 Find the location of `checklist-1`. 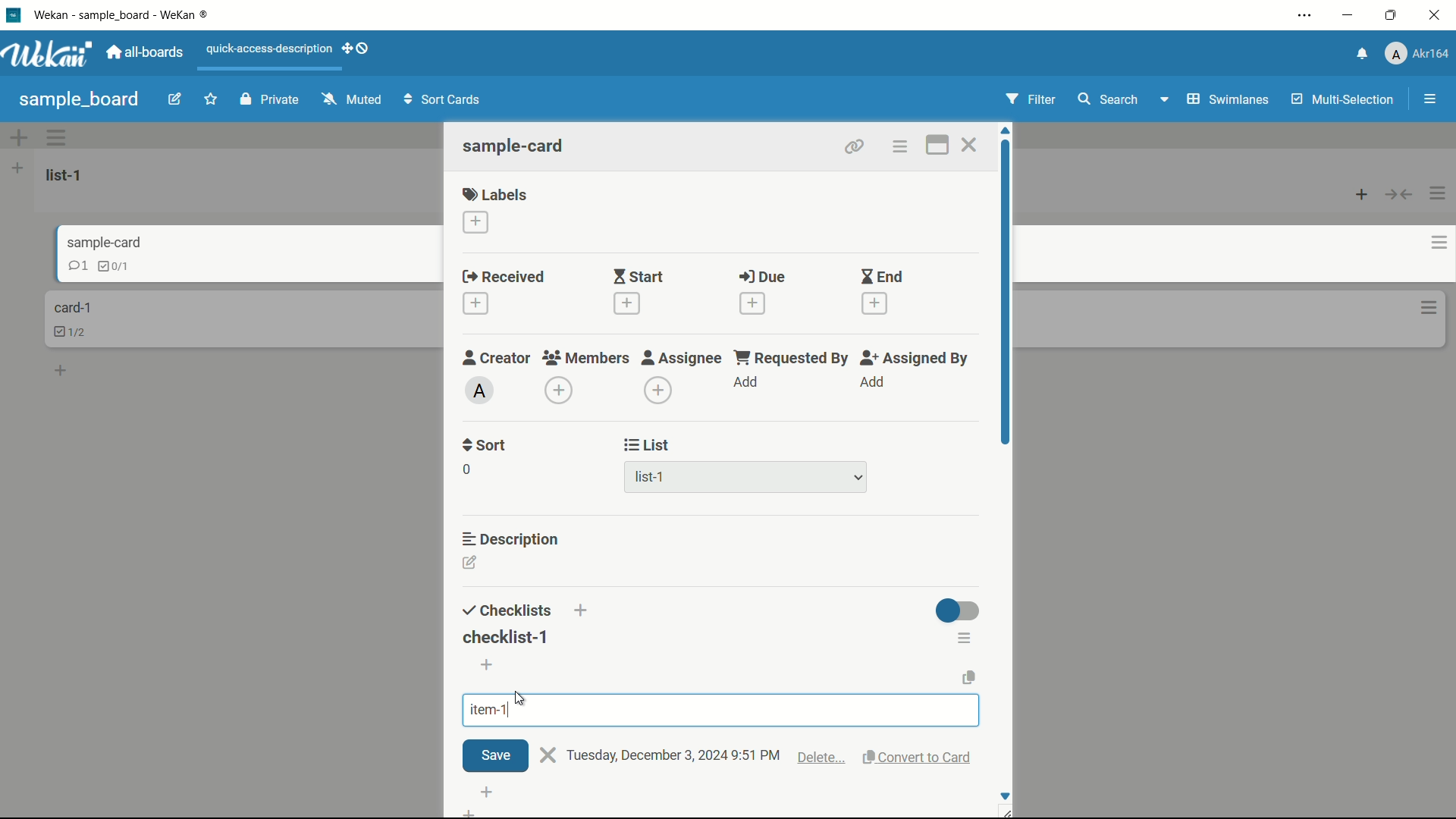

checklist-1 is located at coordinates (506, 637).